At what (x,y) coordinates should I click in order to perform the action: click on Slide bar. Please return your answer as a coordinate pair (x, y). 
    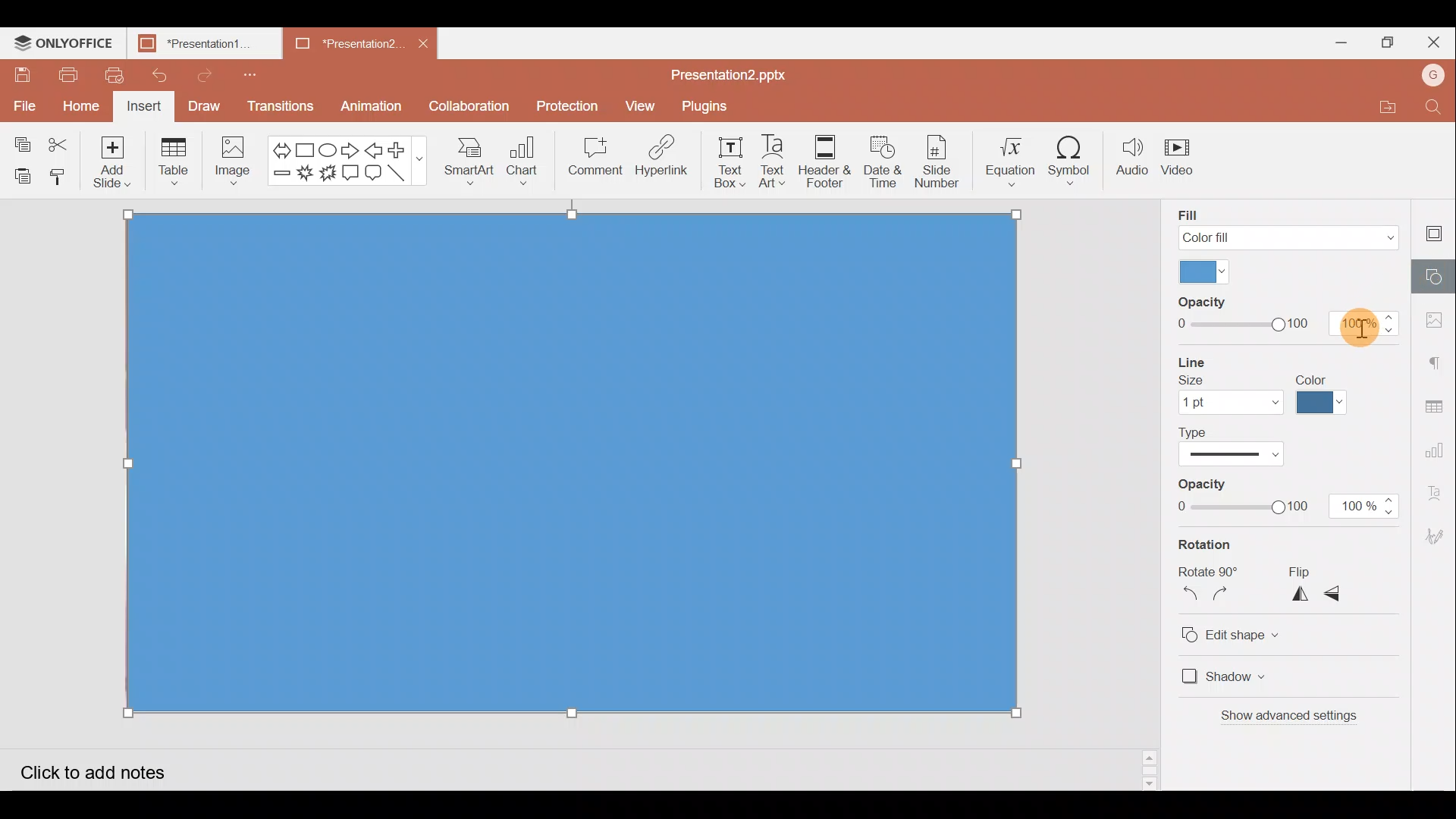
    Looking at the image, I should click on (1150, 767).